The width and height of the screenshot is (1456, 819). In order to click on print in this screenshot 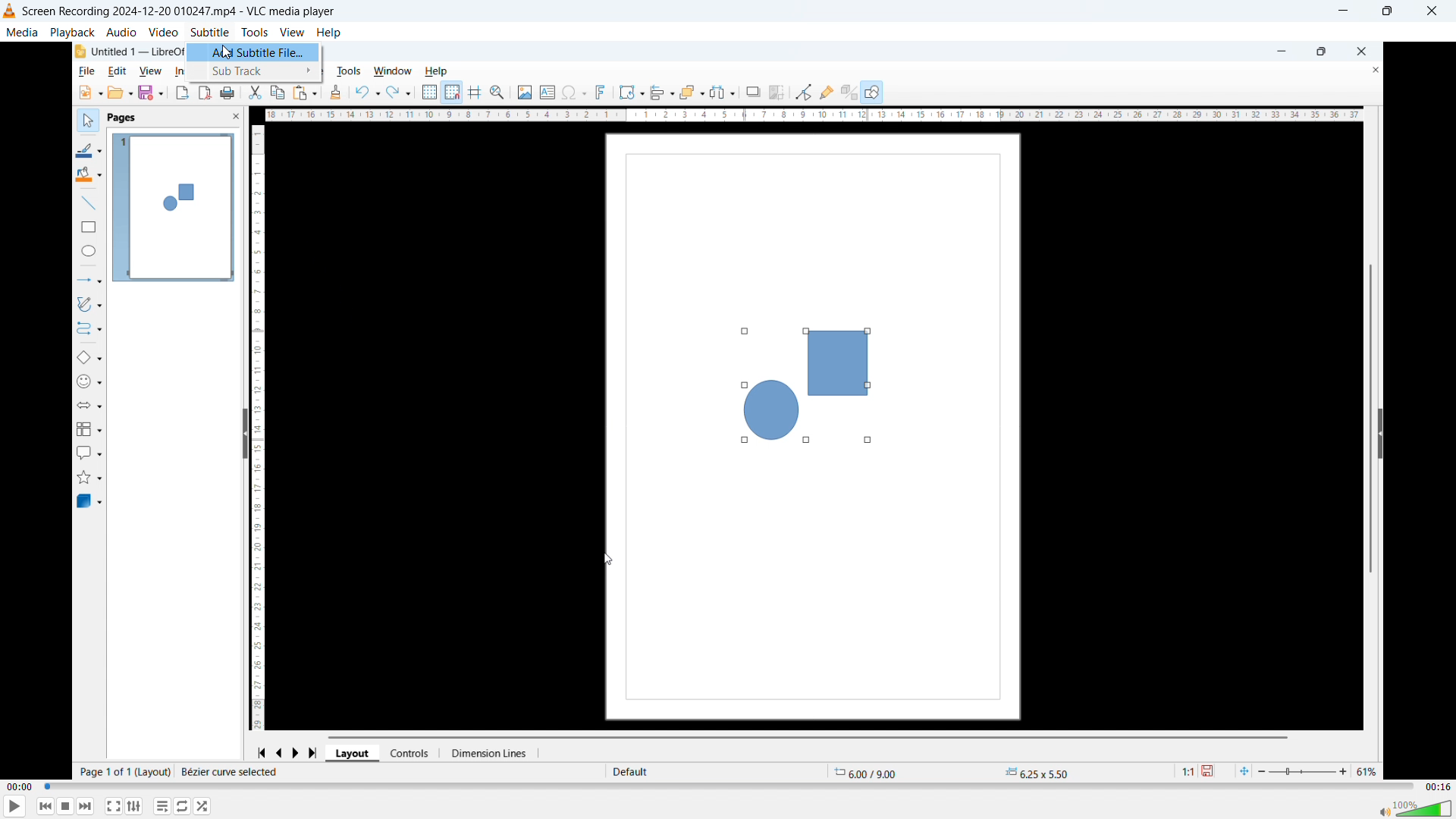, I will do `click(229, 93)`.